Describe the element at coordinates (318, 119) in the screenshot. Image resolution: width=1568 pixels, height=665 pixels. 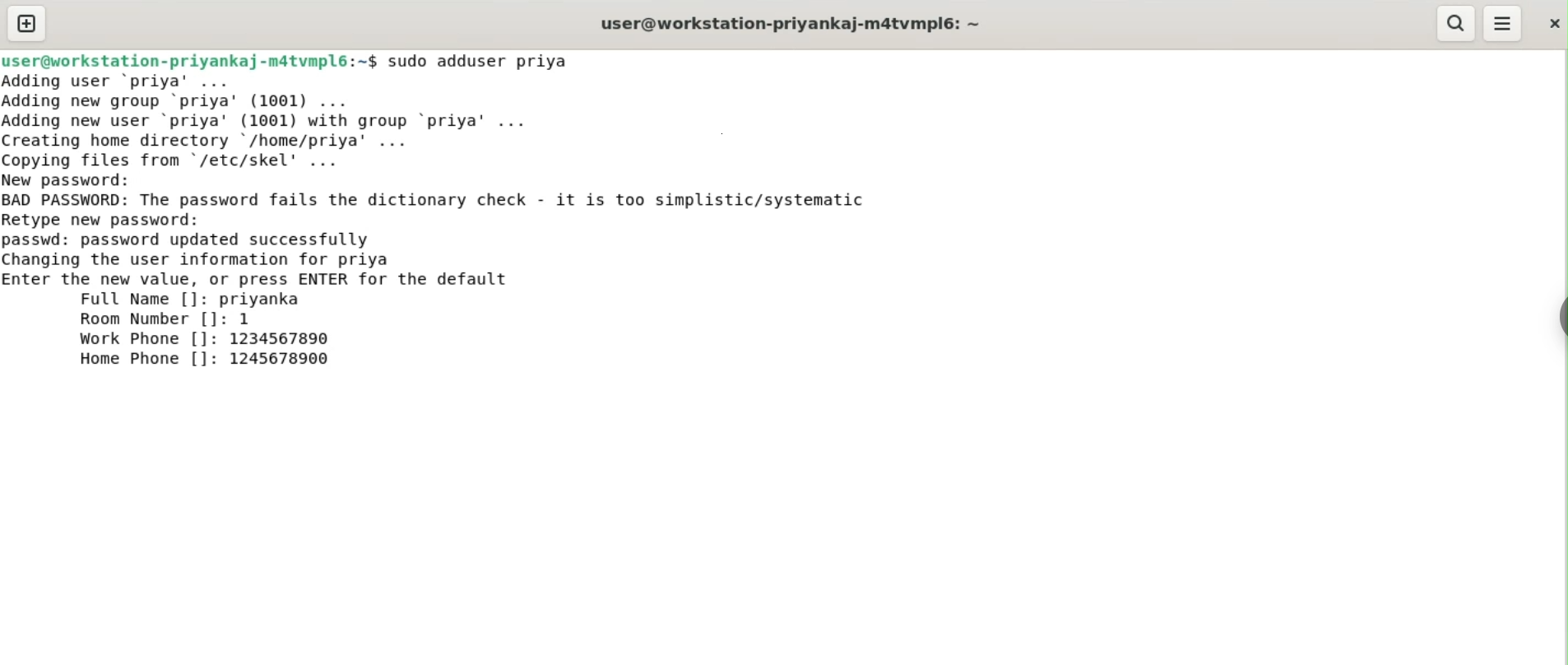
I see `Adding user ‘priya’ ...

Adding new group ‘priya’ (1001) ...

Adding new user ‘priya' (1001) with group ‘priya’ ...
Creating home directory /home/priya’ ...

Copving files from "/etc/skel' ...` at that location.